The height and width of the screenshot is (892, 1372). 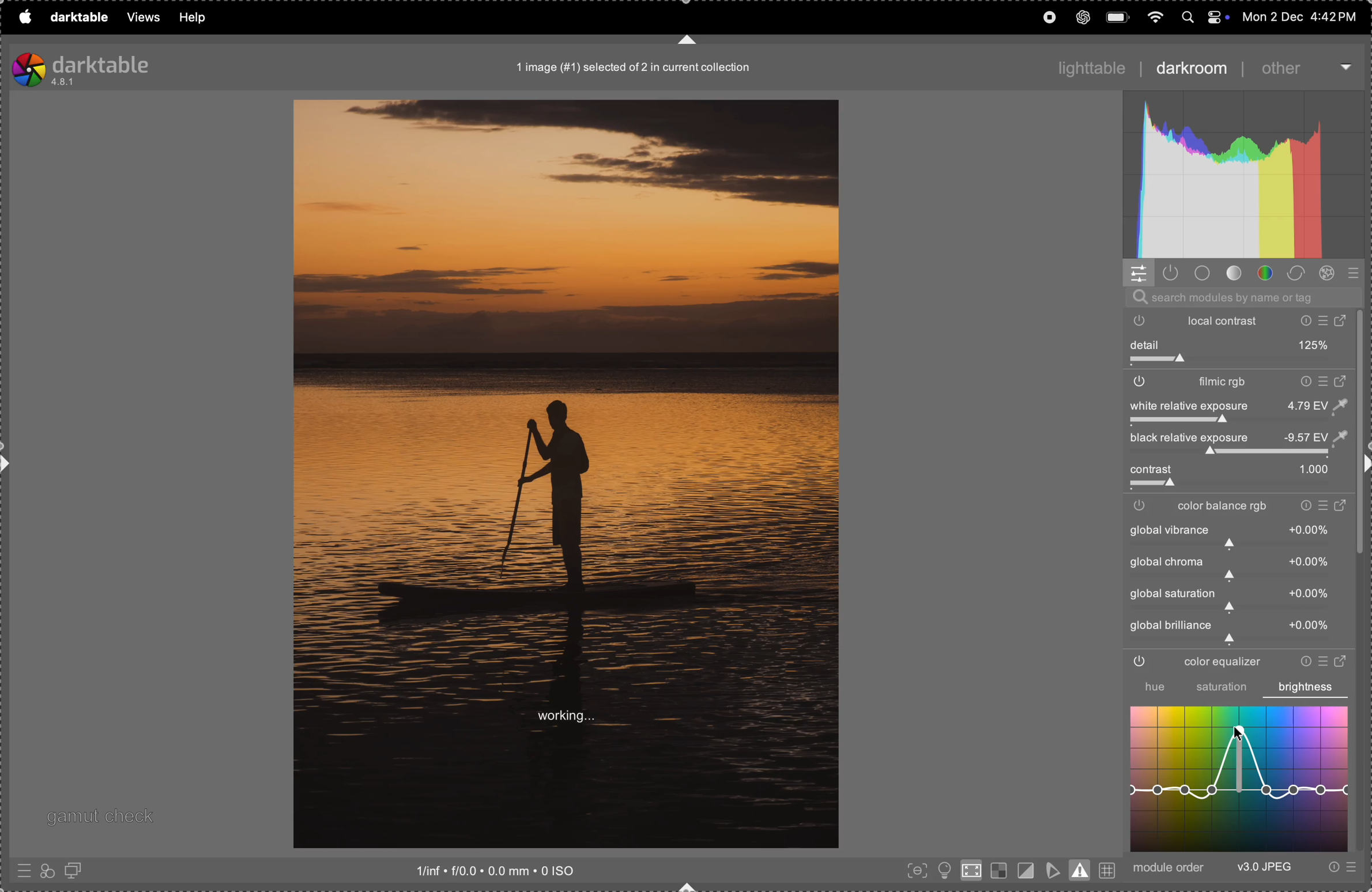 I want to click on presets, so click(x=22, y=873).